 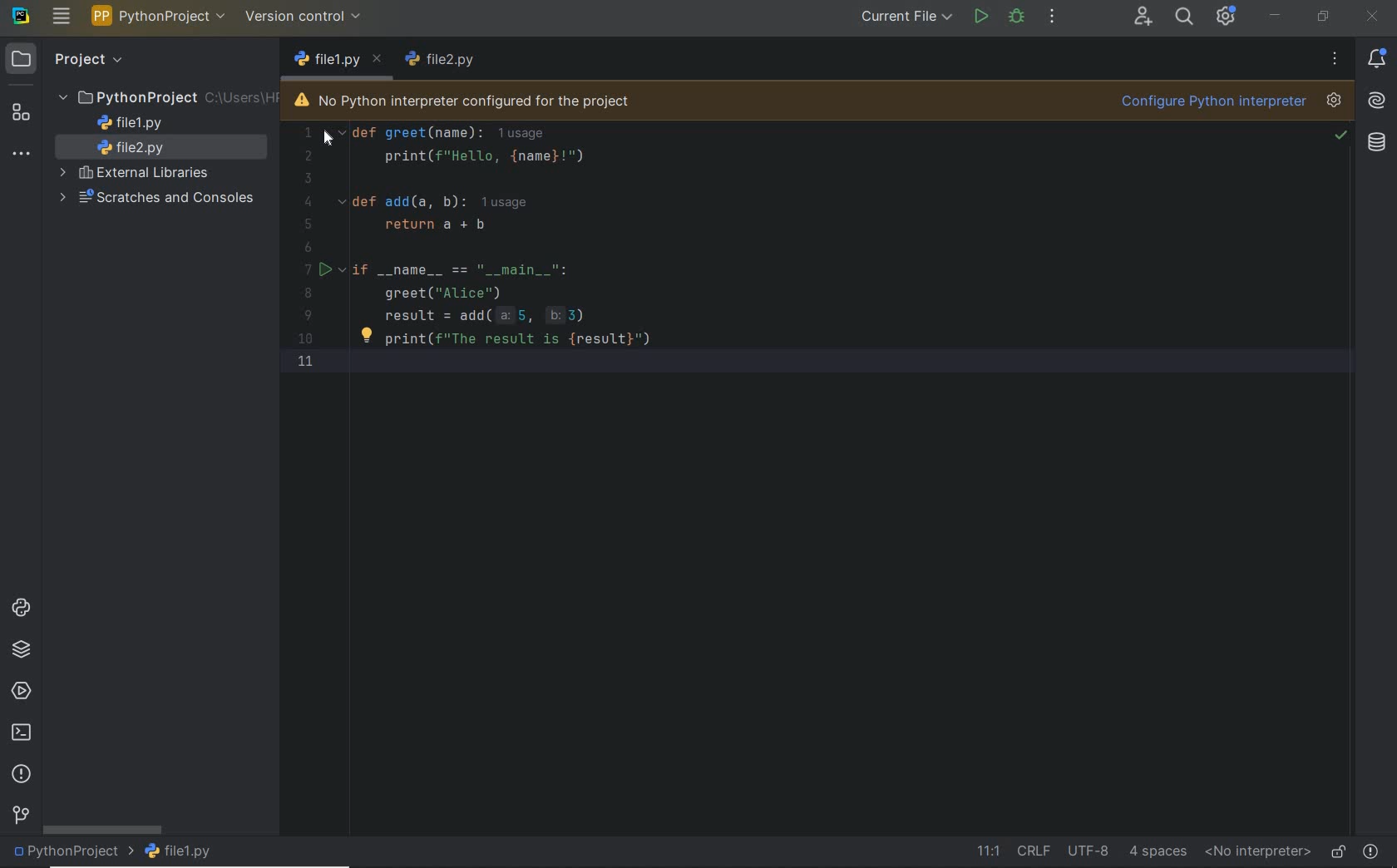 What do you see at coordinates (1378, 99) in the screenshot?
I see `AI Assistant` at bounding box center [1378, 99].